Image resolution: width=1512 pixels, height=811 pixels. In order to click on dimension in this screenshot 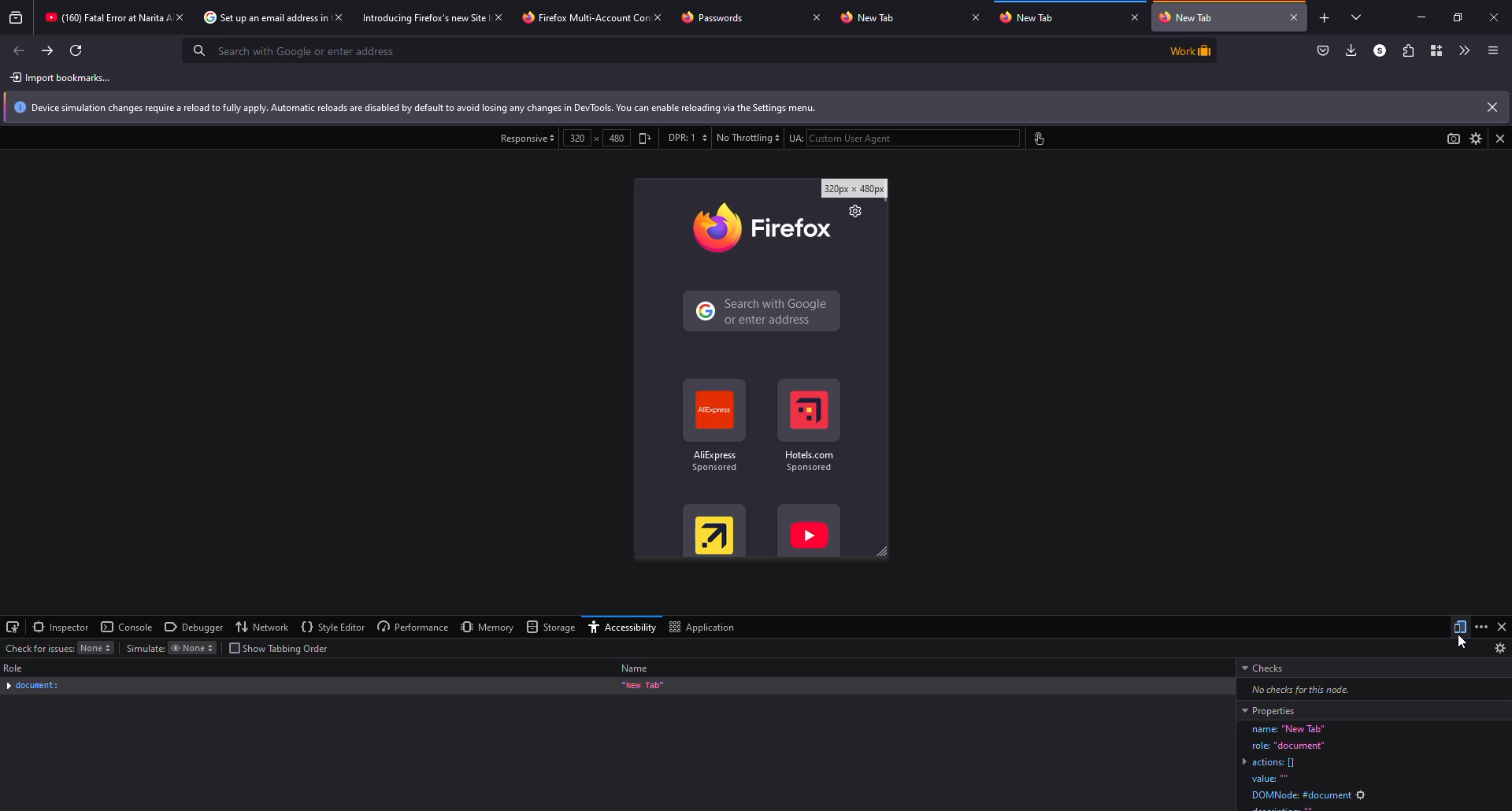, I will do `click(597, 138)`.